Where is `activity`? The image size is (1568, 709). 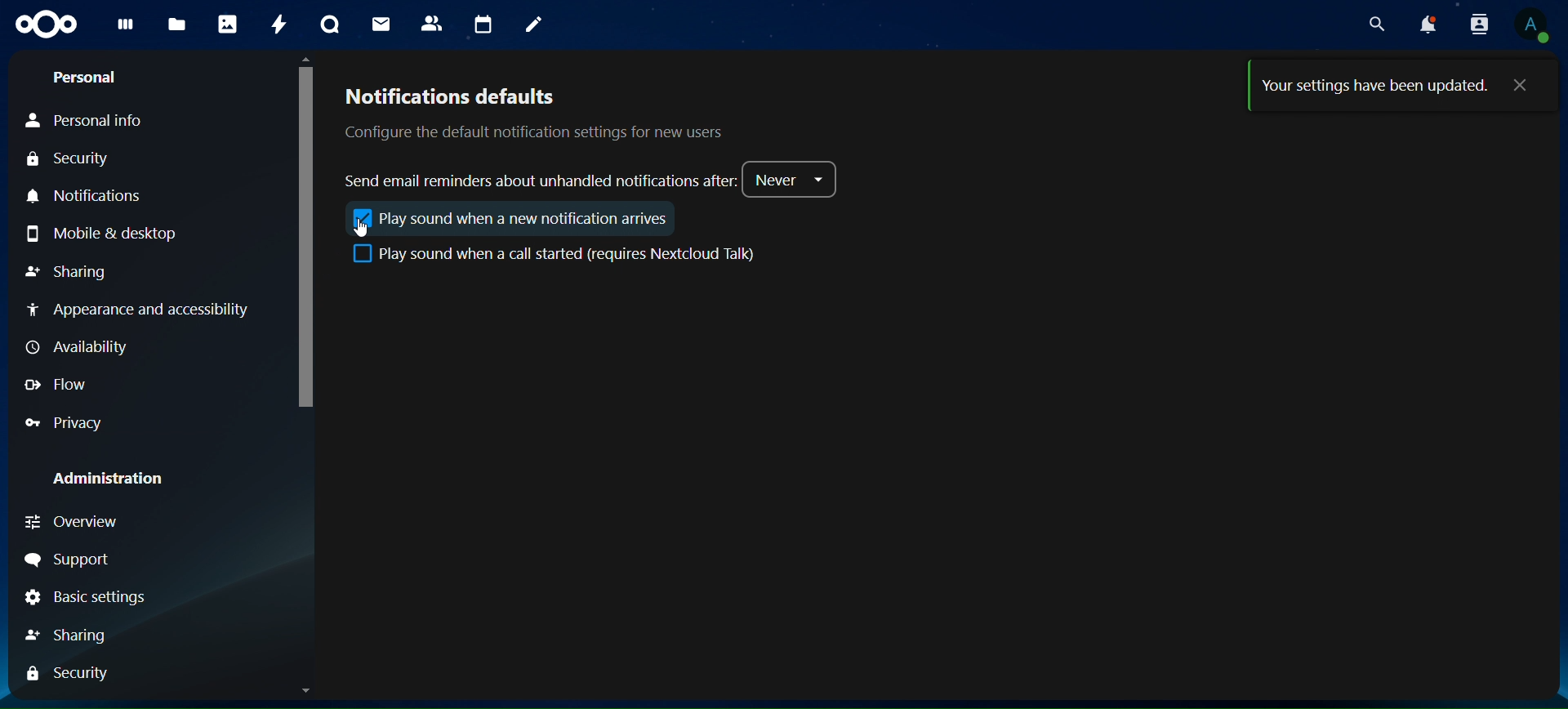
activity is located at coordinates (275, 24).